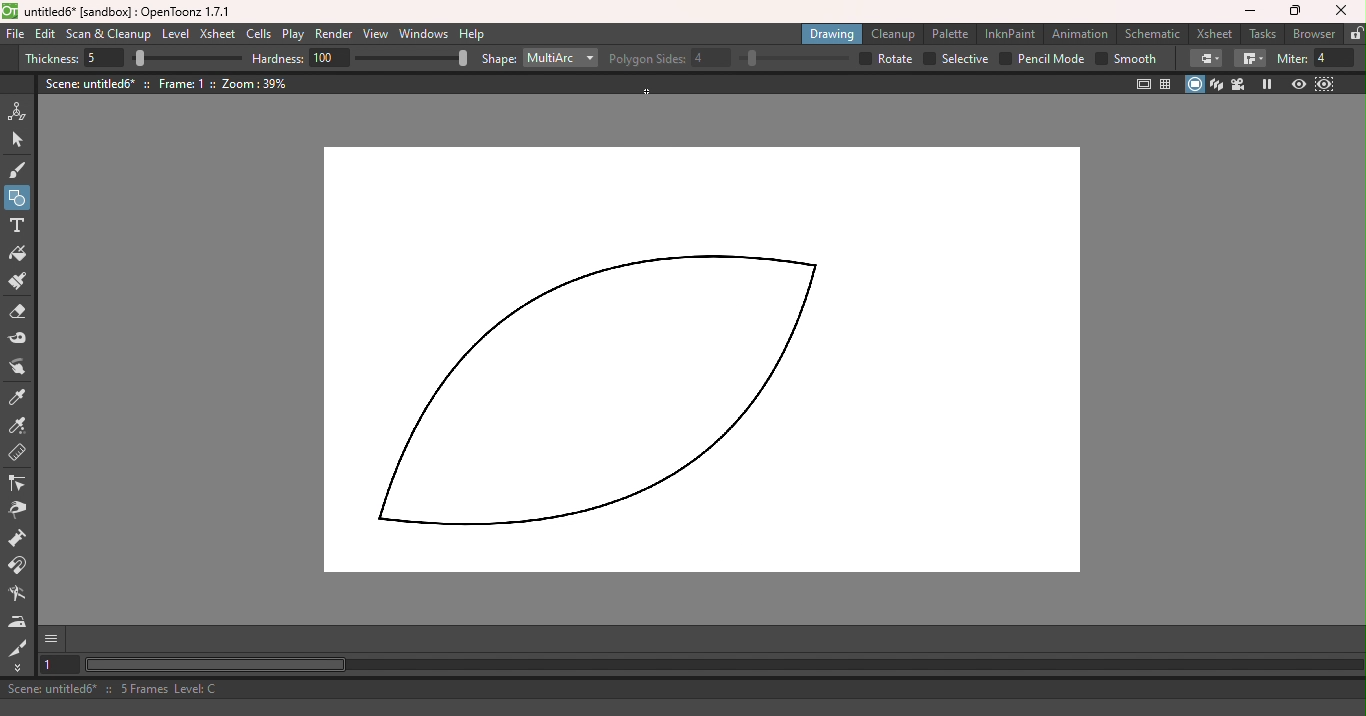 This screenshot has width=1366, height=716. What do you see at coordinates (17, 341) in the screenshot?
I see `Tape tool` at bounding box center [17, 341].